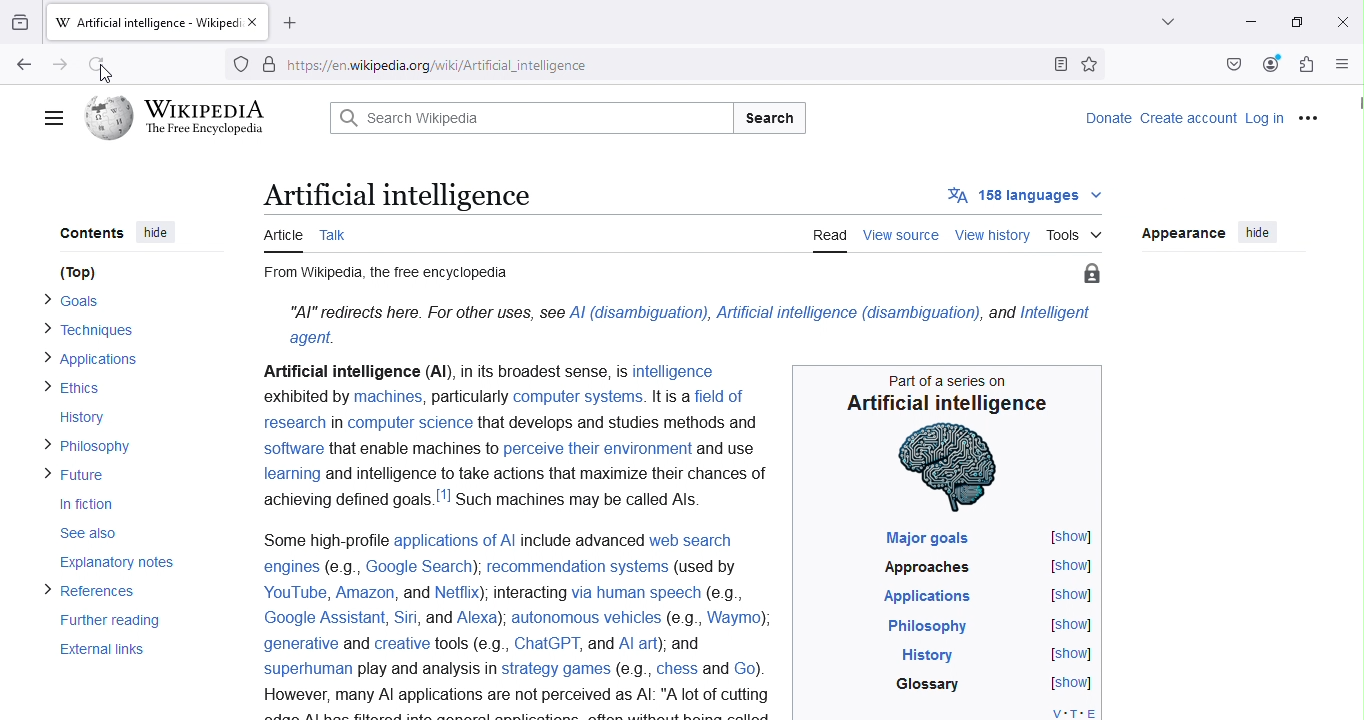 This screenshot has height=720, width=1364. What do you see at coordinates (390, 278) in the screenshot?
I see `From Wikipedia, the free encyclopedia` at bounding box center [390, 278].